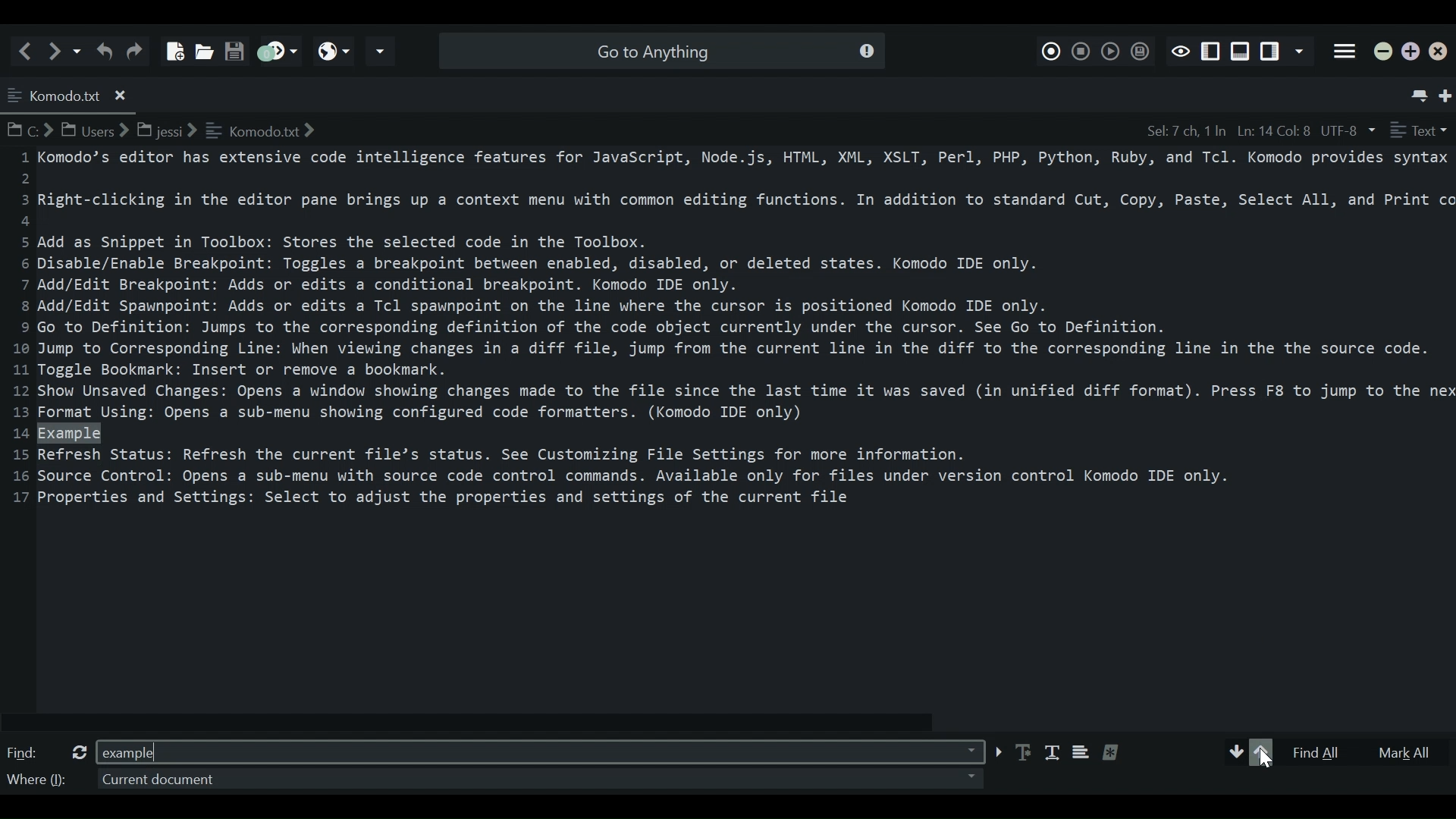  I want to click on Text Entry Pane , so click(726, 426).